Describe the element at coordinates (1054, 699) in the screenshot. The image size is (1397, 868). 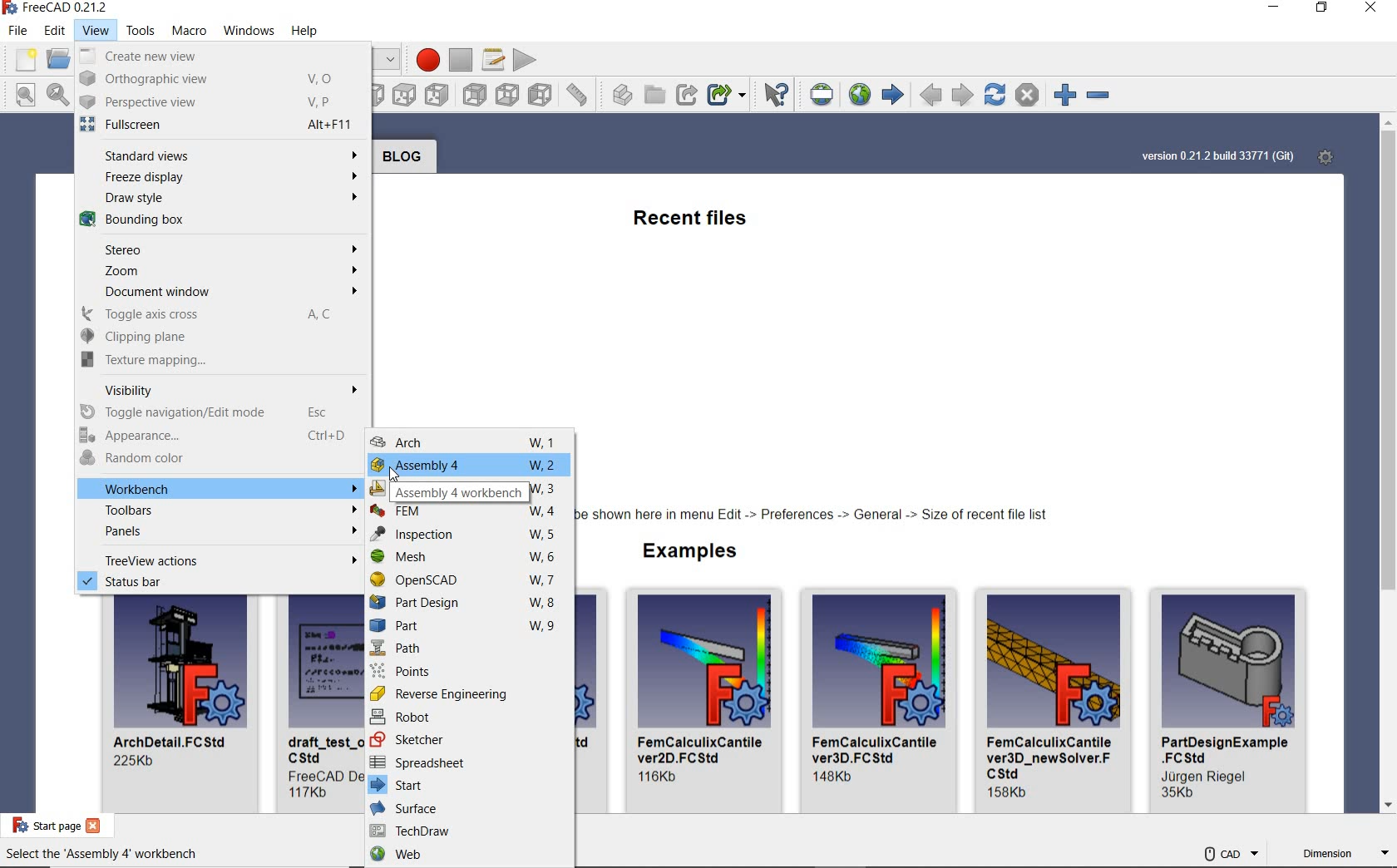
I see `FemCalculixCantile_newSolver` at that location.